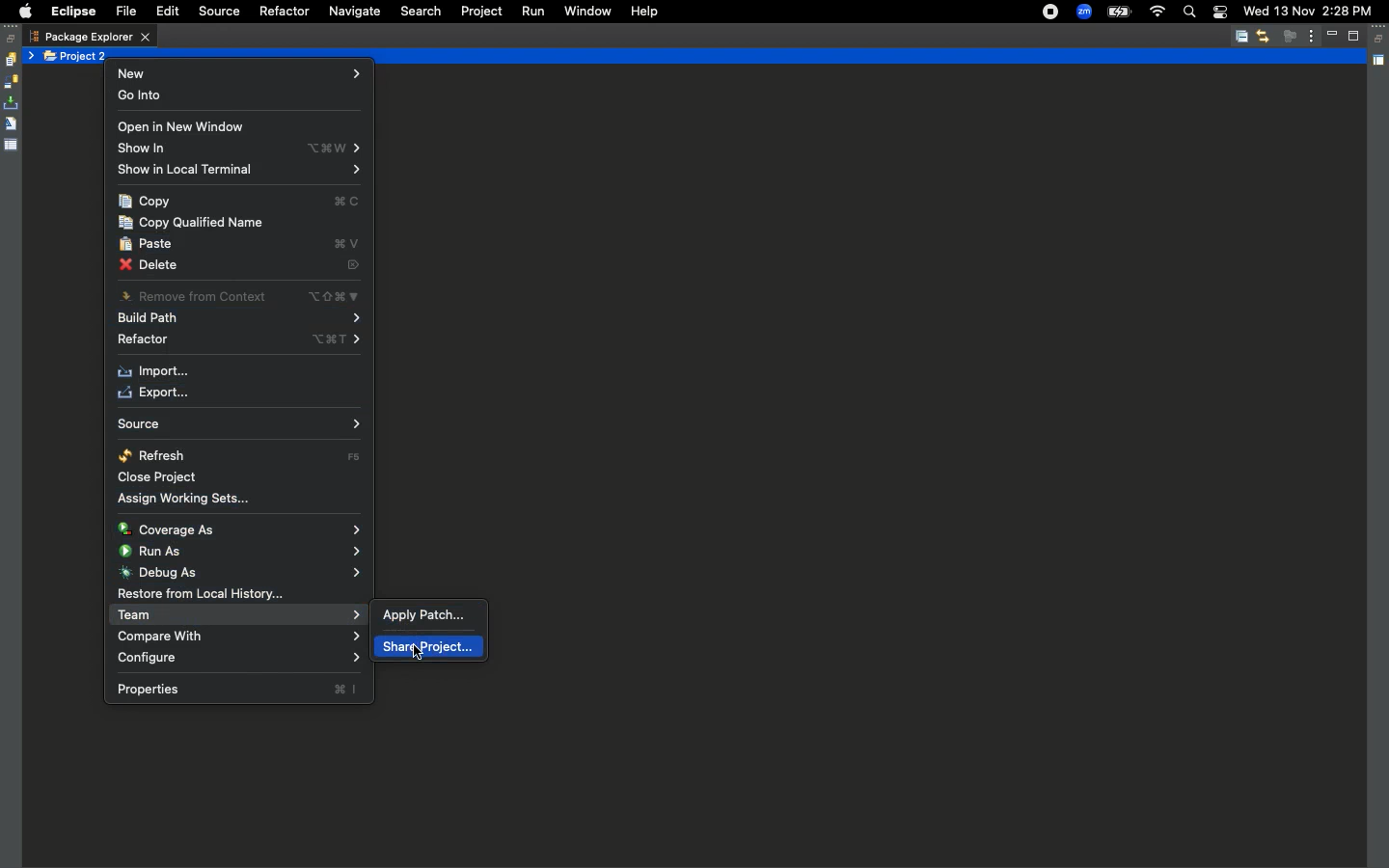 Image resolution: width=1389 pixels, height=868 pixels. What do you see at coordinates (1084, 13) in the screenshot?
I see `Zoom` at bounding box center [1084, 13].